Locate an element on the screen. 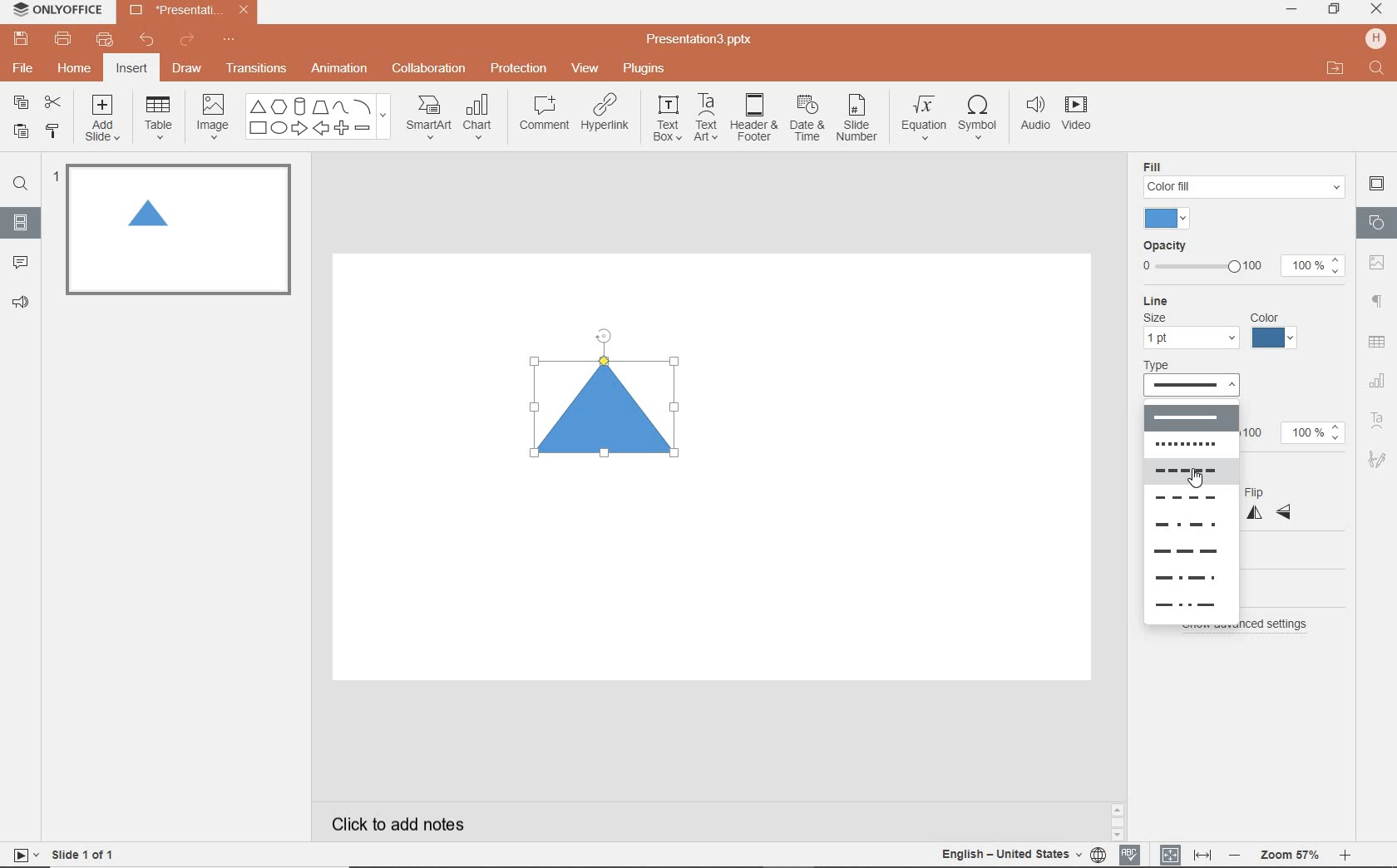 This screenshot has width=1397, height=868. VIEW is located at coordinates (586, 70).